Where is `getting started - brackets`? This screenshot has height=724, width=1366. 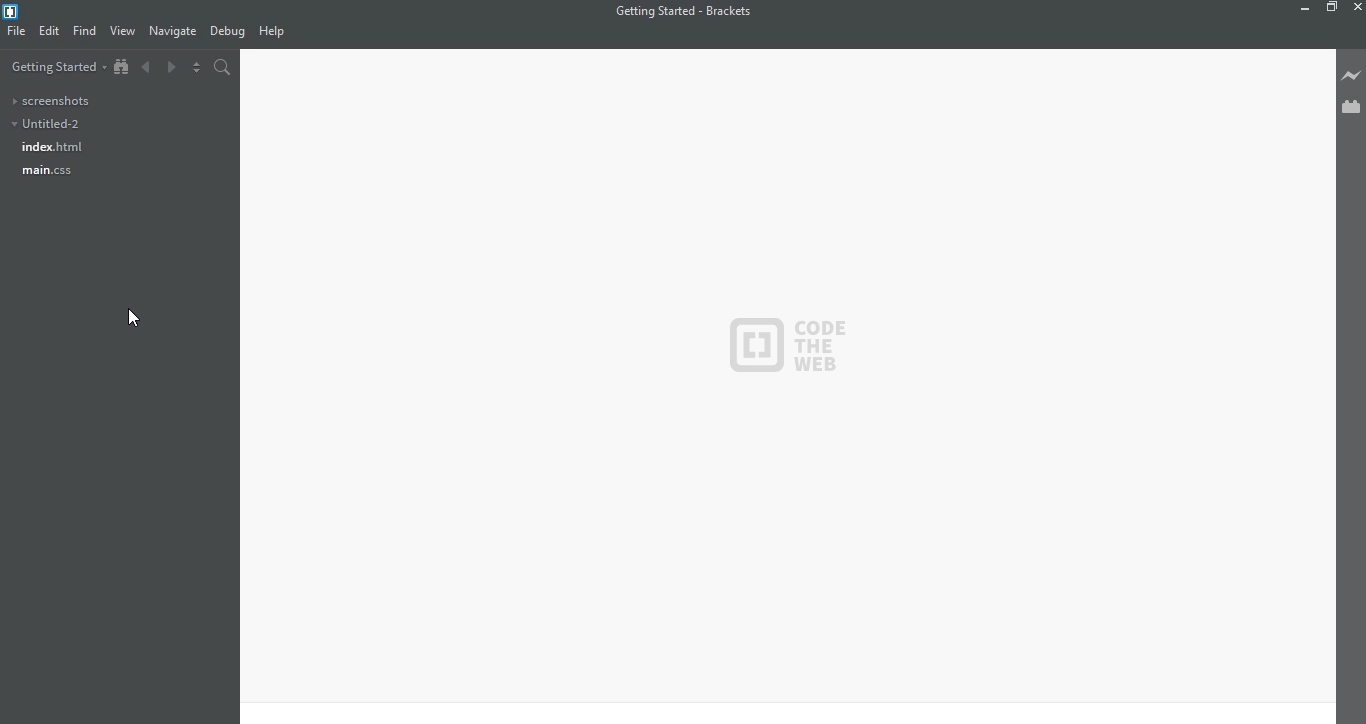 getting started - brackets is located at coordinates (687, 11).